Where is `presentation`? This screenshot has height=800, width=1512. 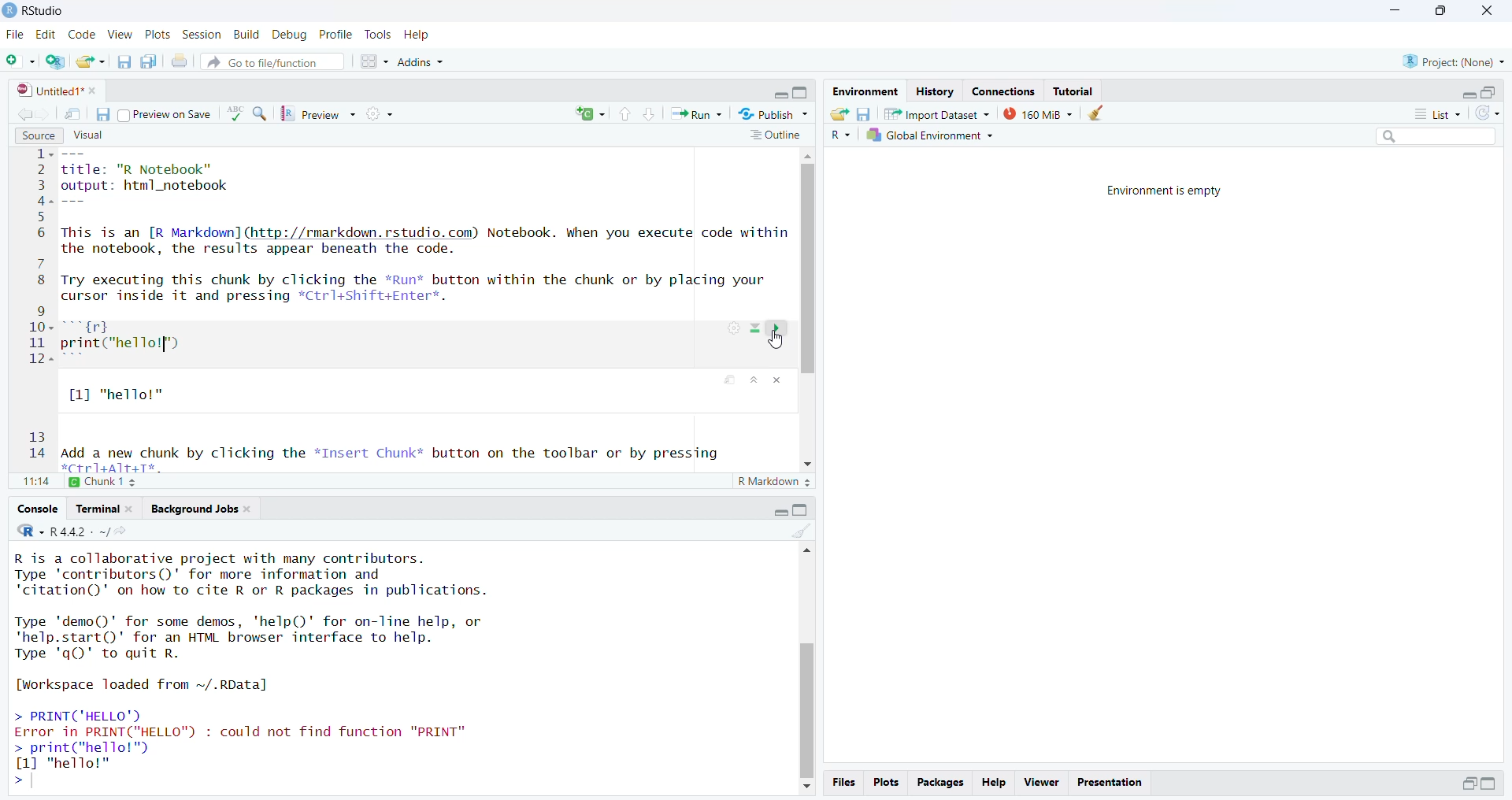
presentation is located at coordinates (1110, 781).